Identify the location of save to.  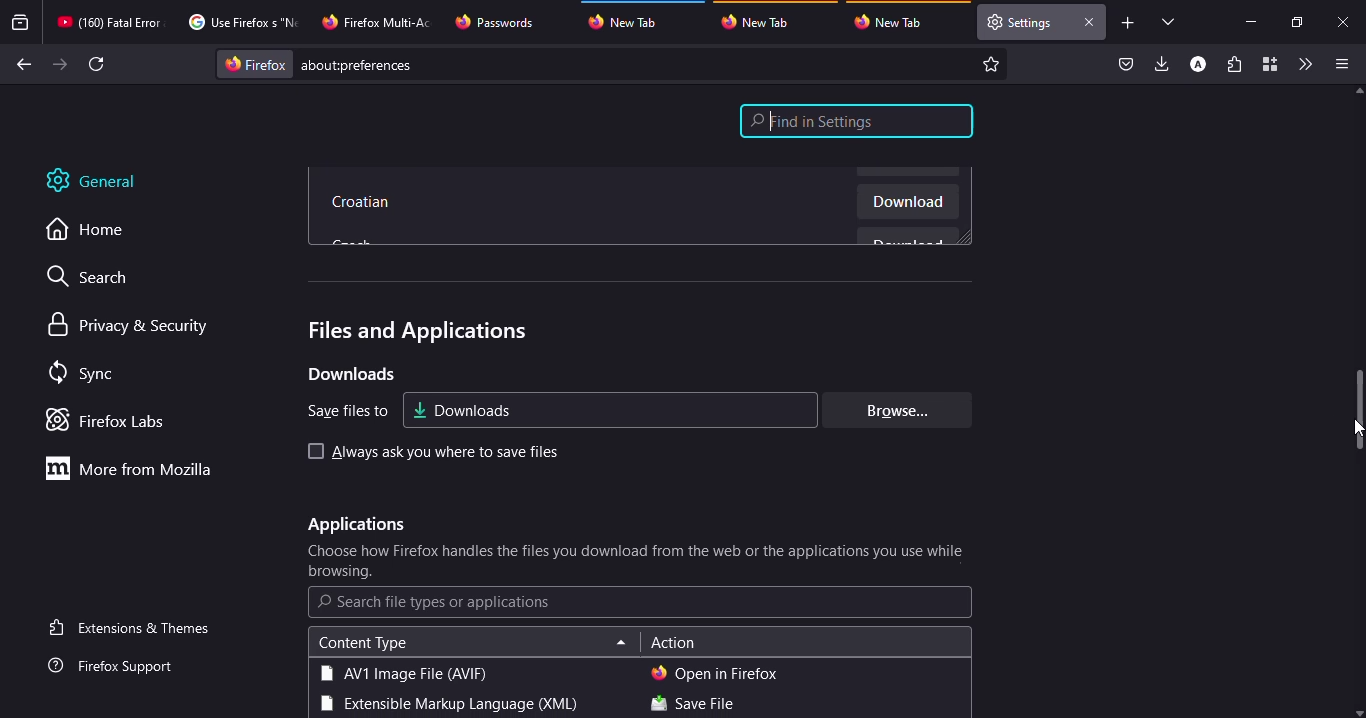
(342, 411).